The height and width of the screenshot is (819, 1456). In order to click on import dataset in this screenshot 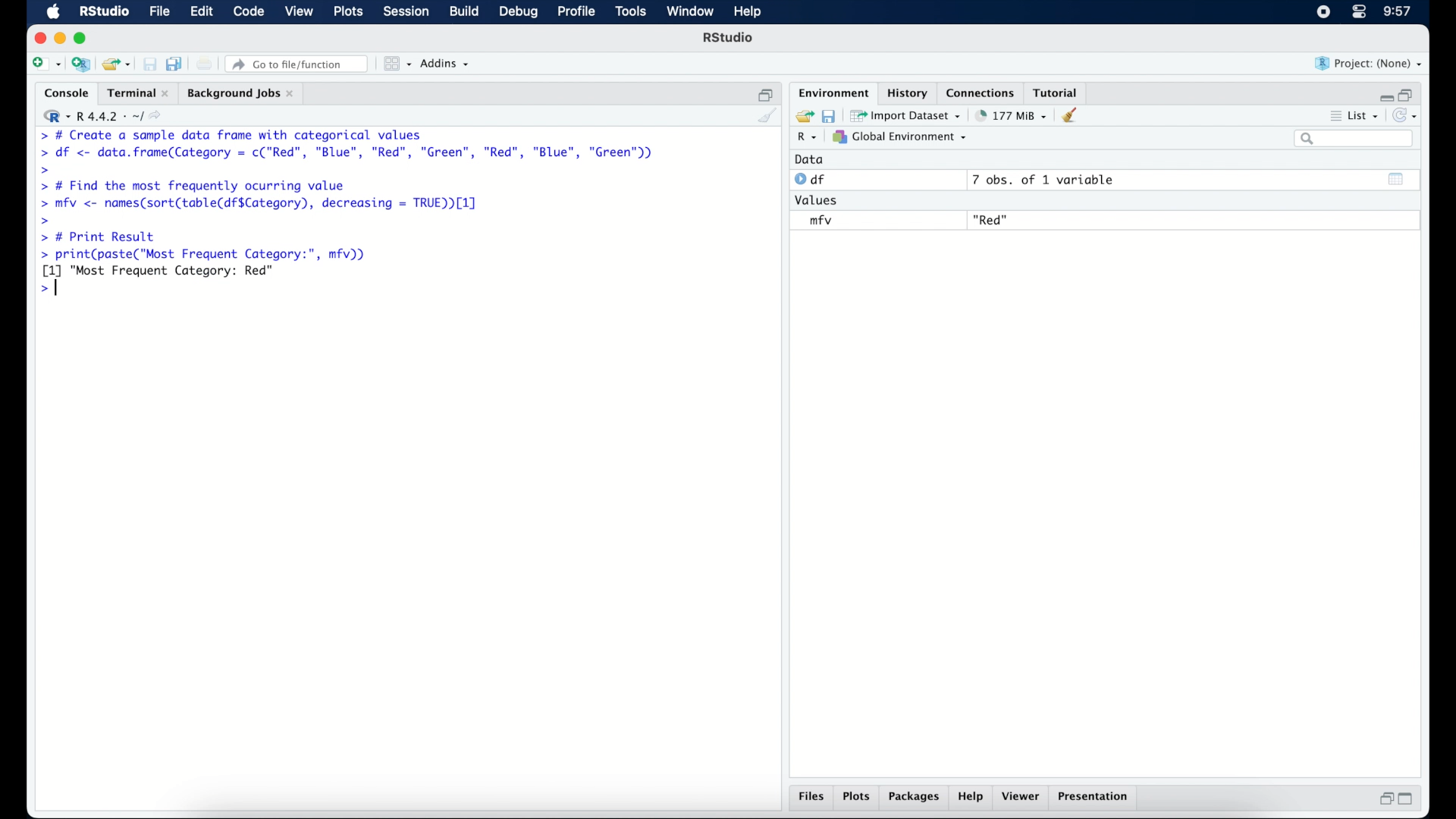, I will do `click(907, 115)`.